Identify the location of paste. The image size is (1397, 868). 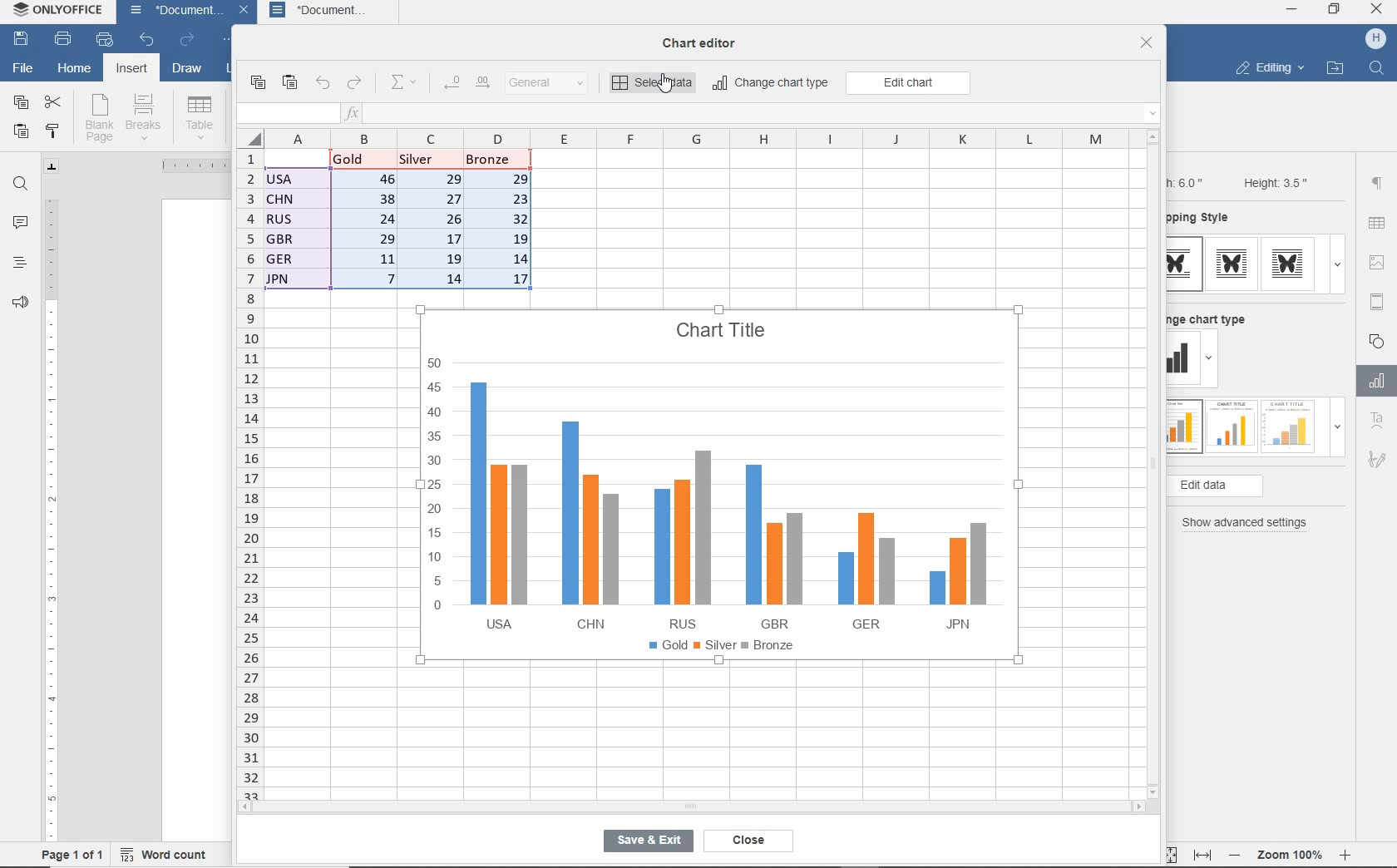
(291, 83).